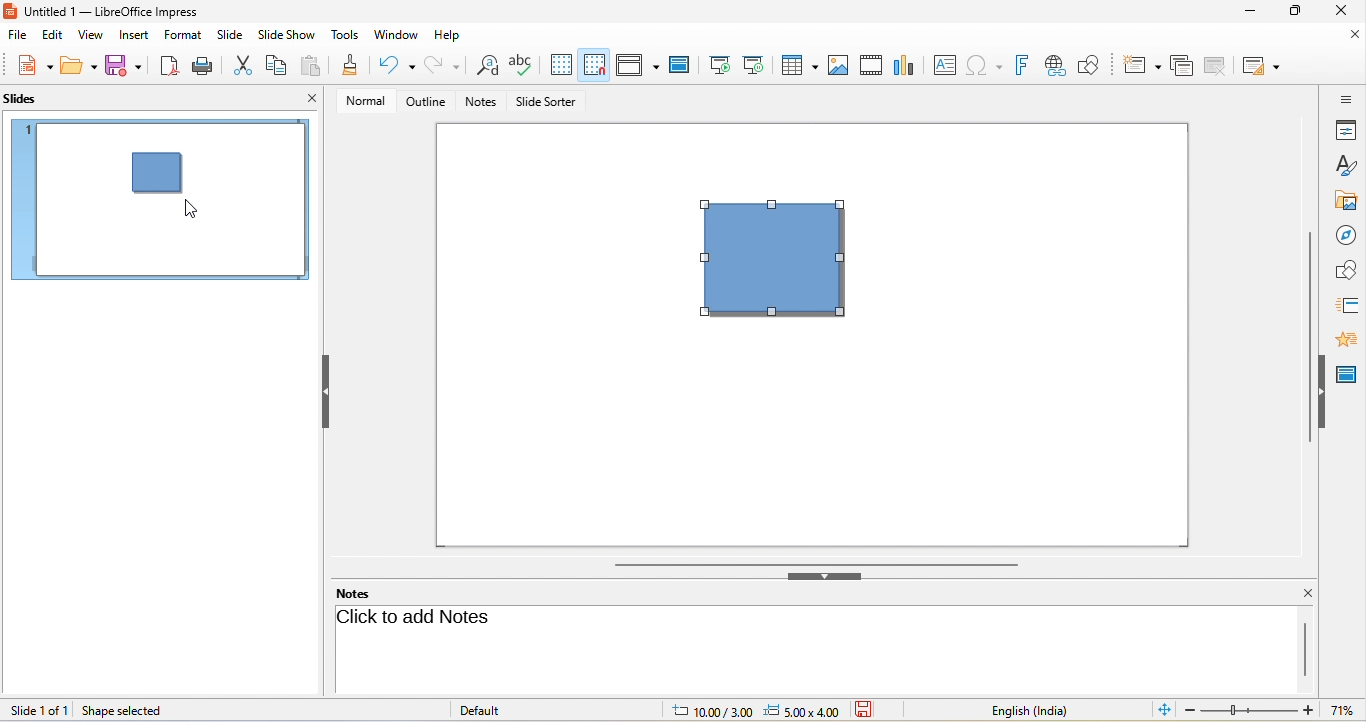 The height and width of the screenshot is (722, 1366). What do you see at coordinates (420, 617) in the screenshot?
I see `click to add notes` at bounding box center [420, 617].